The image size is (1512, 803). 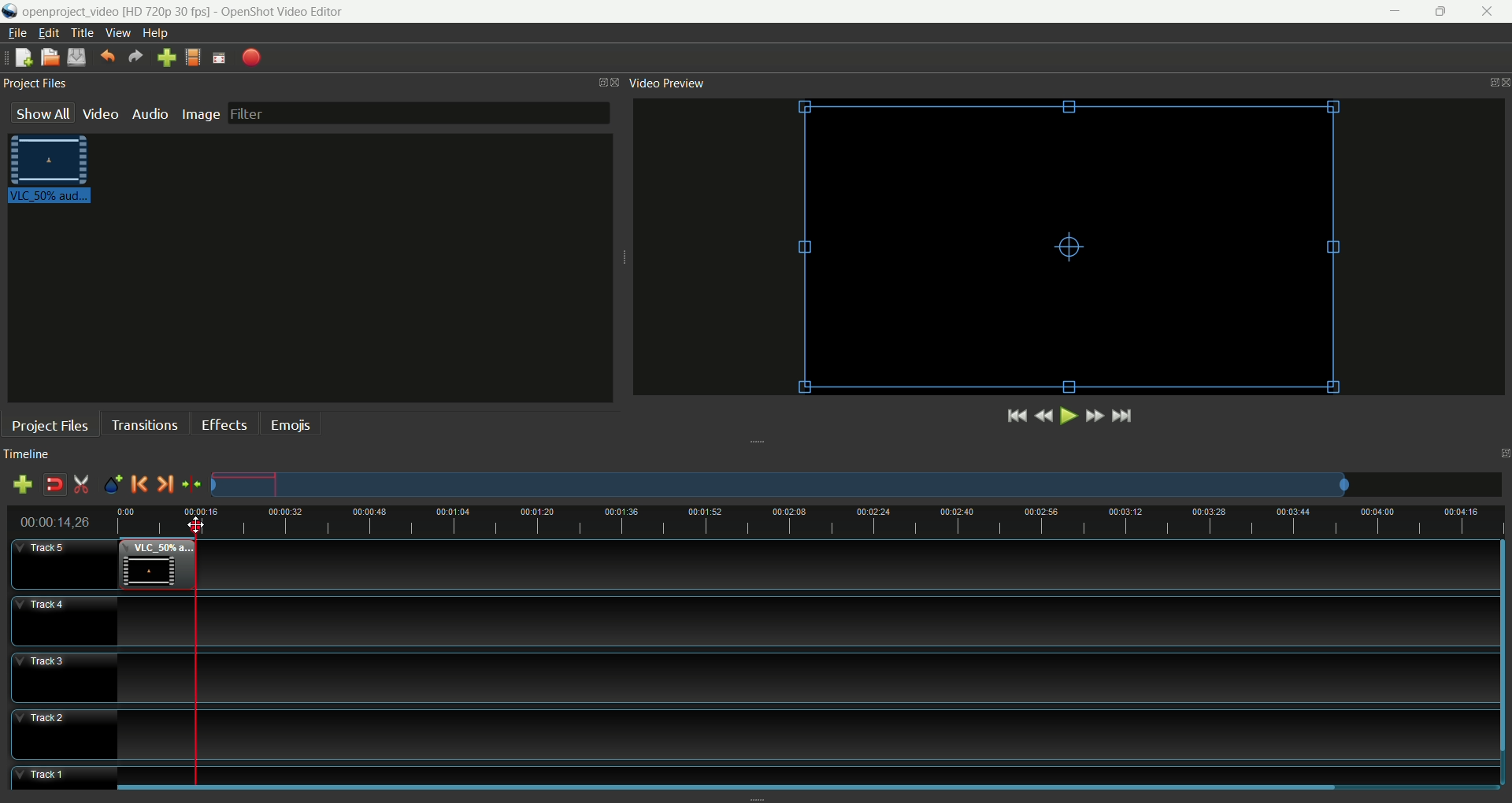 I want to click on maximize, so click(x=1444, y=11).